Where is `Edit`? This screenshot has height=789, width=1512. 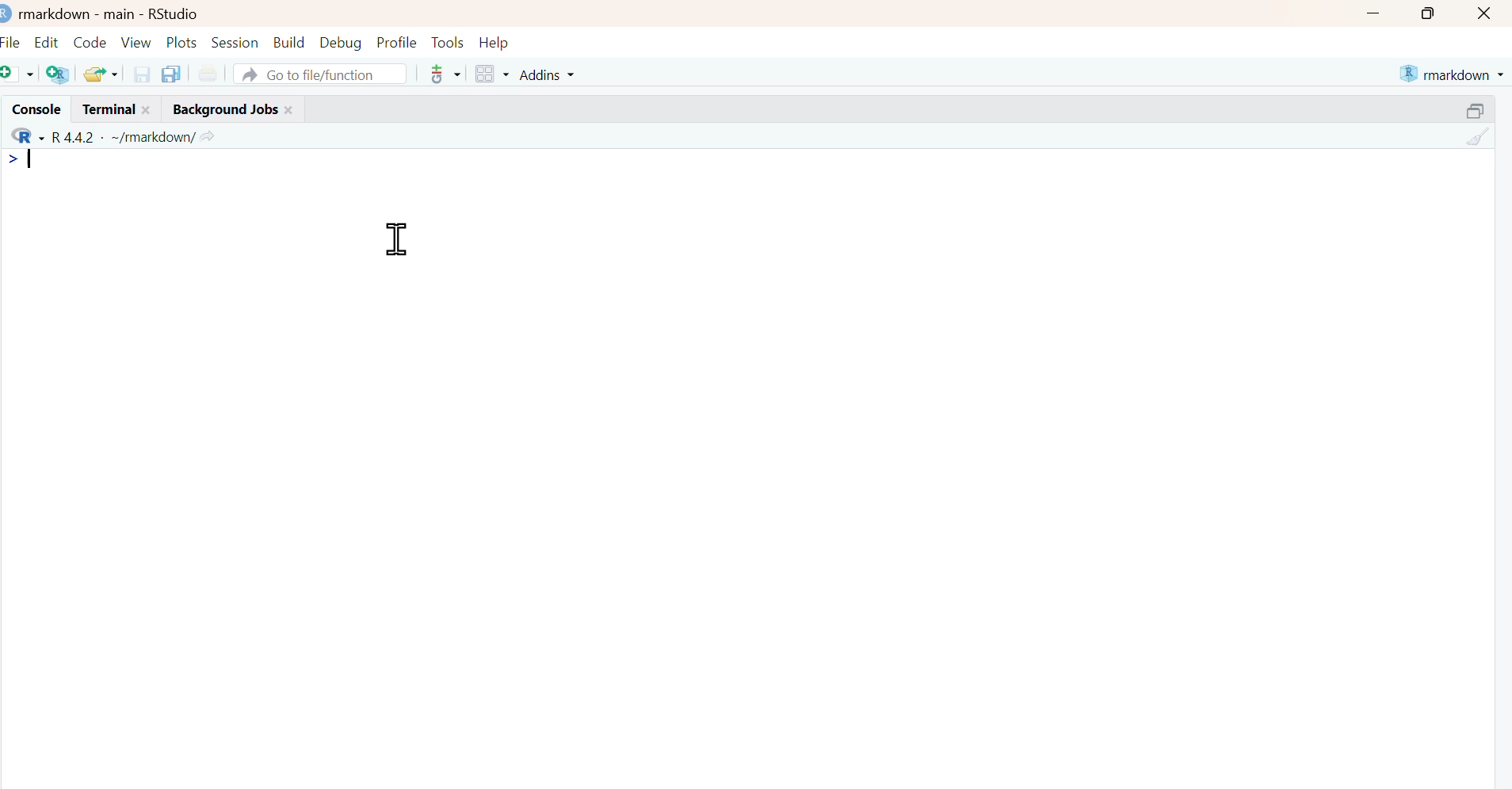 Edit is located at coordinates (48, 39).